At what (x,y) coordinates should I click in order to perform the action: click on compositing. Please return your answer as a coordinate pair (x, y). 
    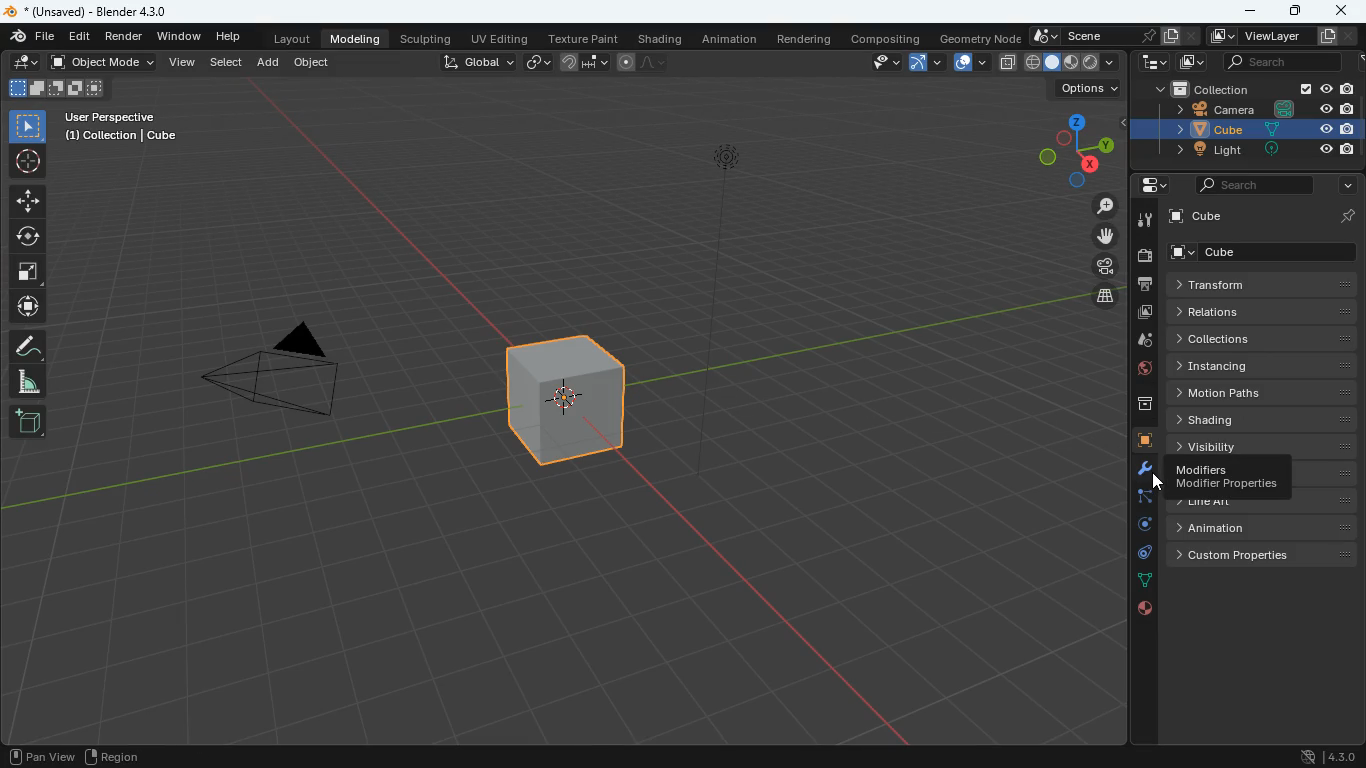
    Looking at the image, I should click on (891, 37).